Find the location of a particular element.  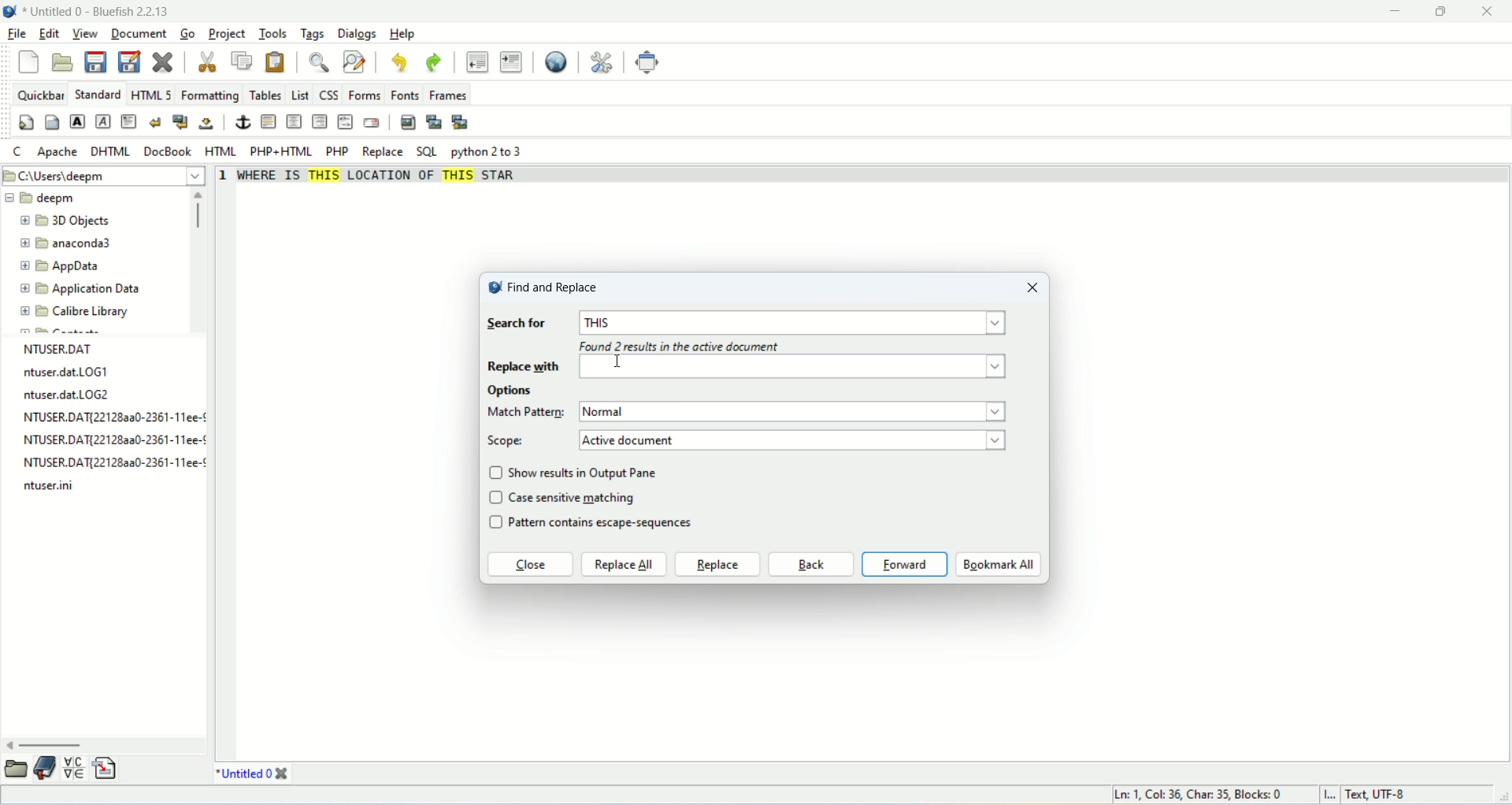

list is located at coordinates (301, 95).